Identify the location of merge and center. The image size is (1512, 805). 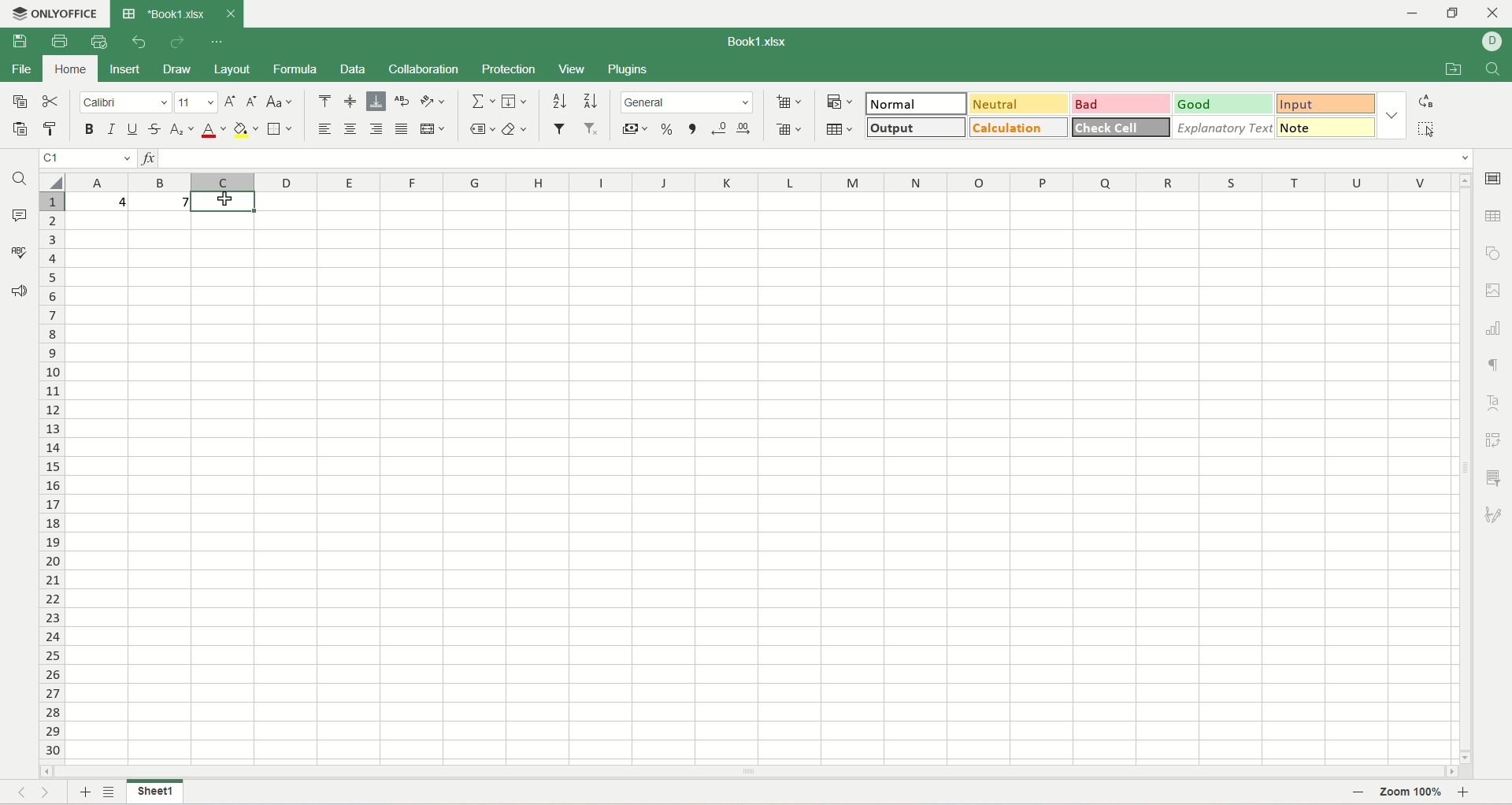
(432, 129).